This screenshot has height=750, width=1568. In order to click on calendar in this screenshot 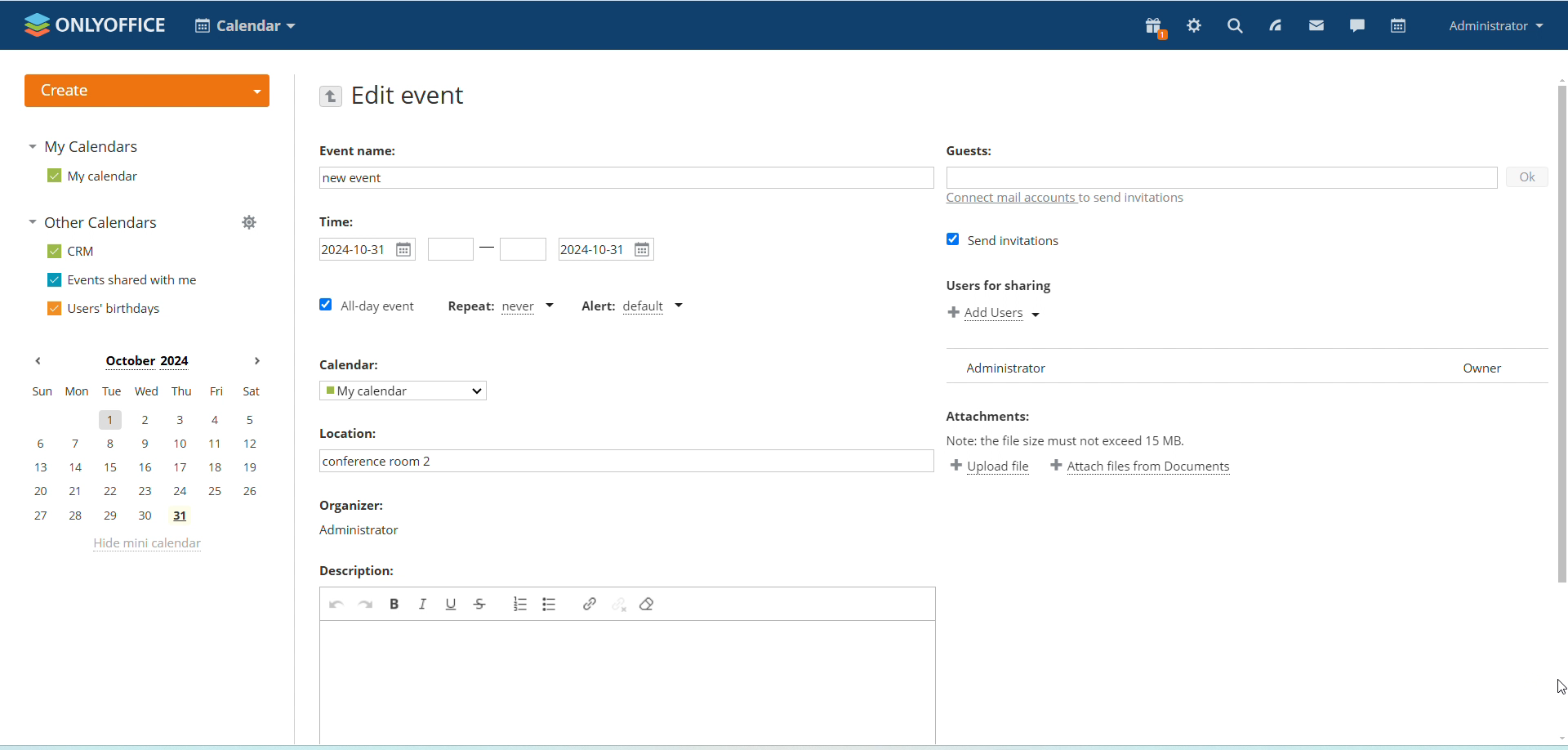, I will do `click(1399, 26)`.